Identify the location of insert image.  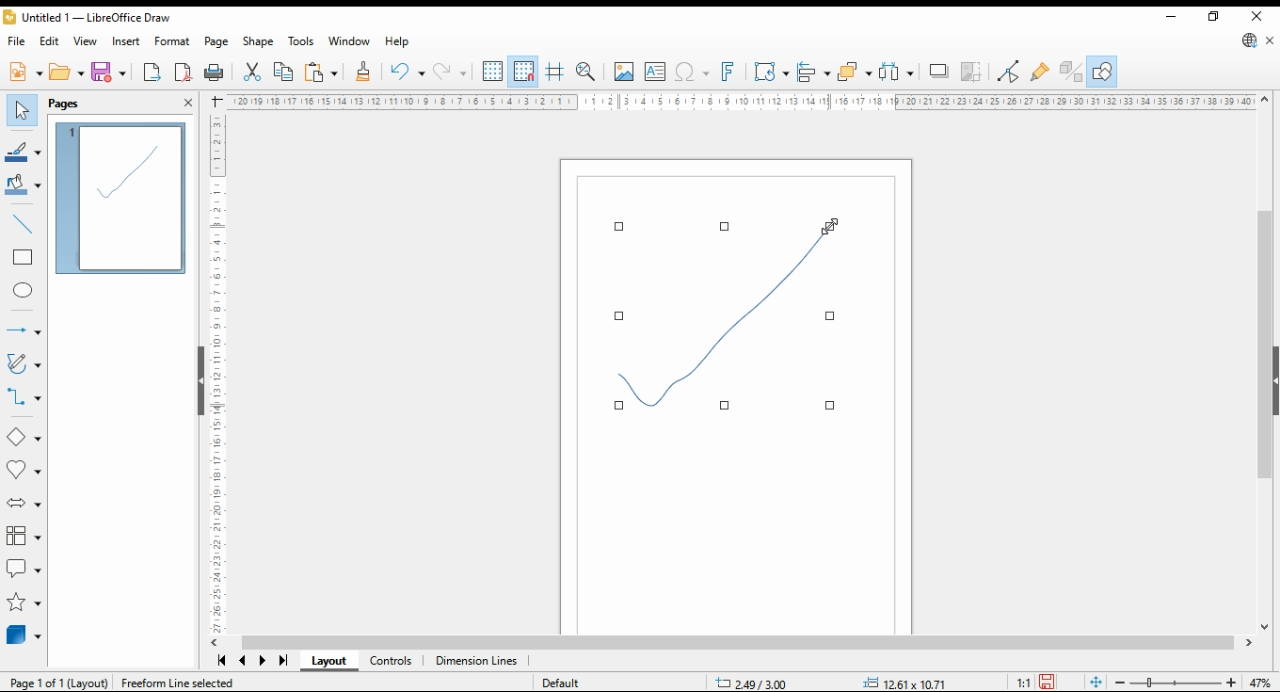
(624, 71).